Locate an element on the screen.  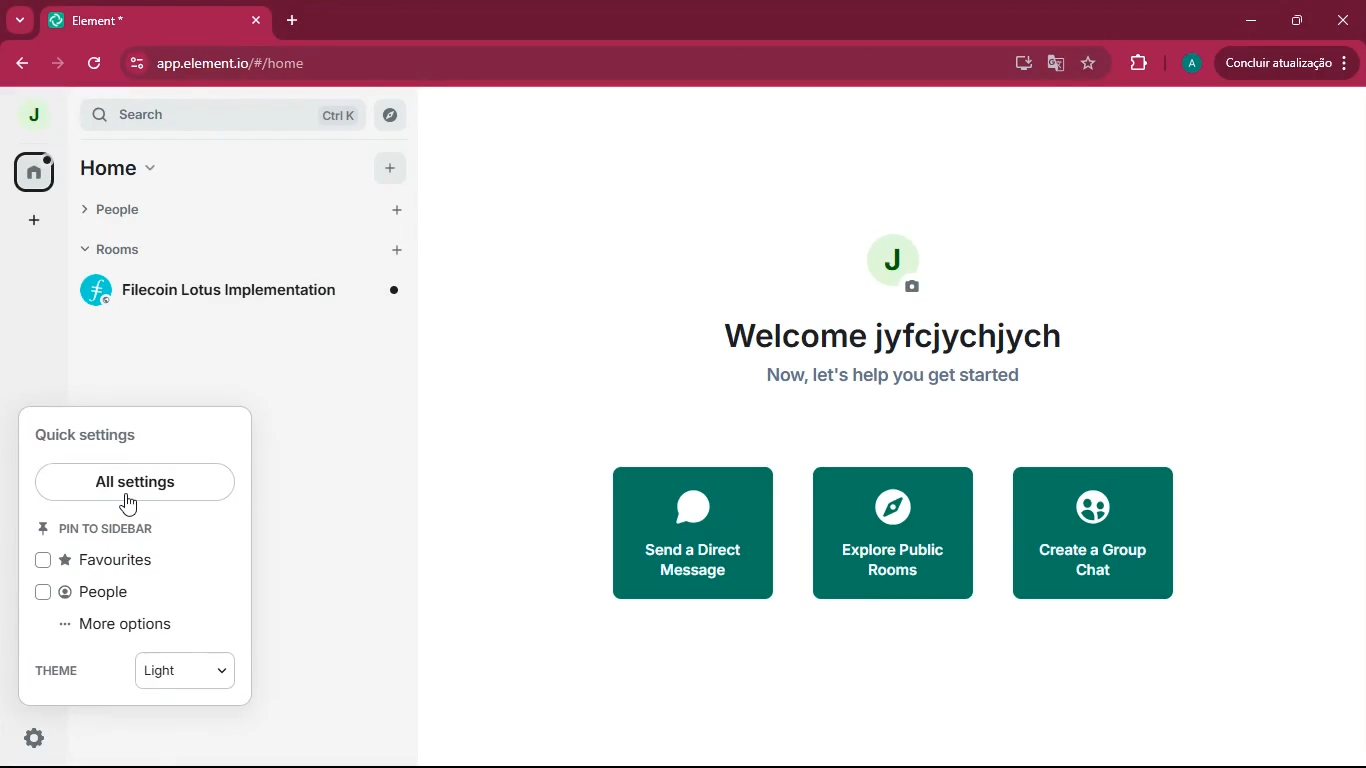
google translate is located at coordinates (1056, 66).